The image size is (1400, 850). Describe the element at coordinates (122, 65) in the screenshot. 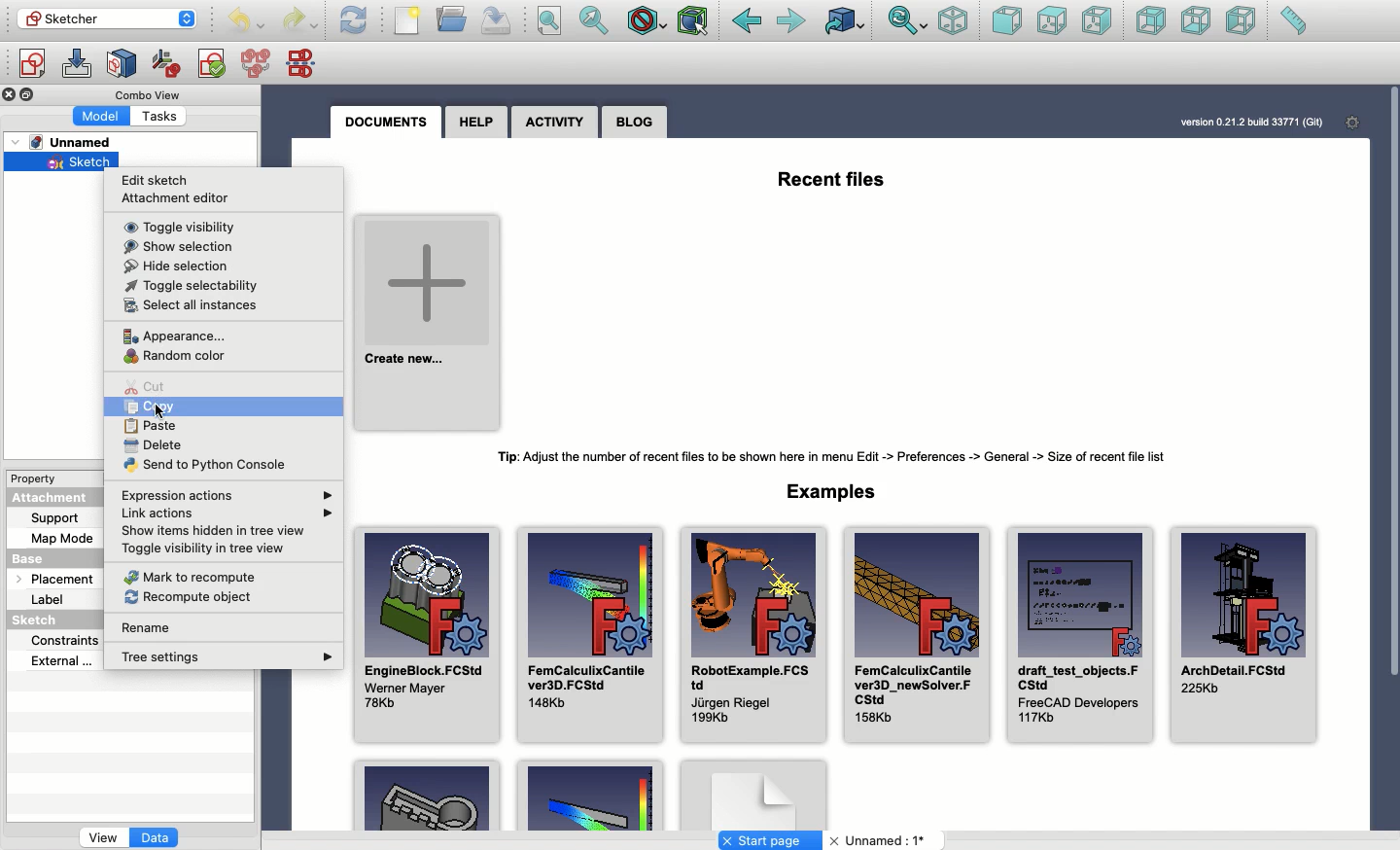

I see `Map sketch to face` at that location.